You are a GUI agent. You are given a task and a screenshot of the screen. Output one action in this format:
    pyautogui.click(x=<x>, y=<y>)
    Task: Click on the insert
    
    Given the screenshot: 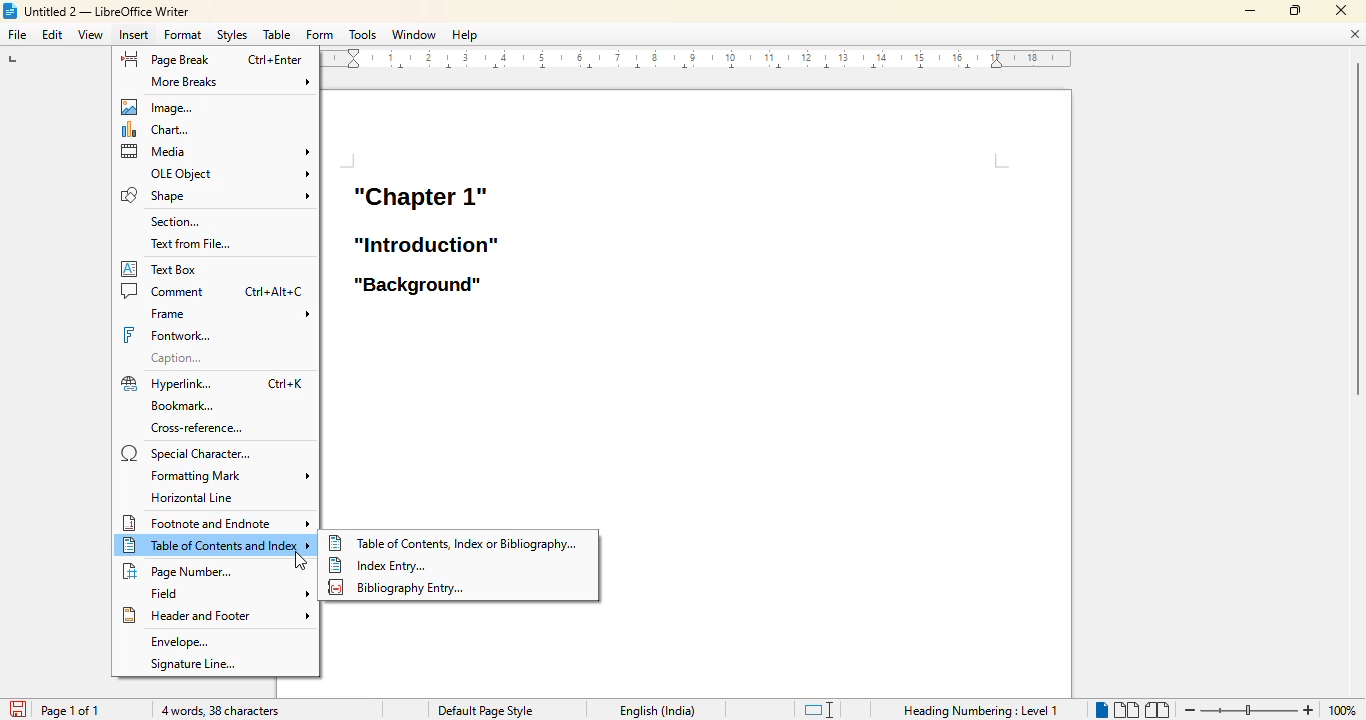 What is the action you would take?
    pyautogui.click(x=134, y=34)
    